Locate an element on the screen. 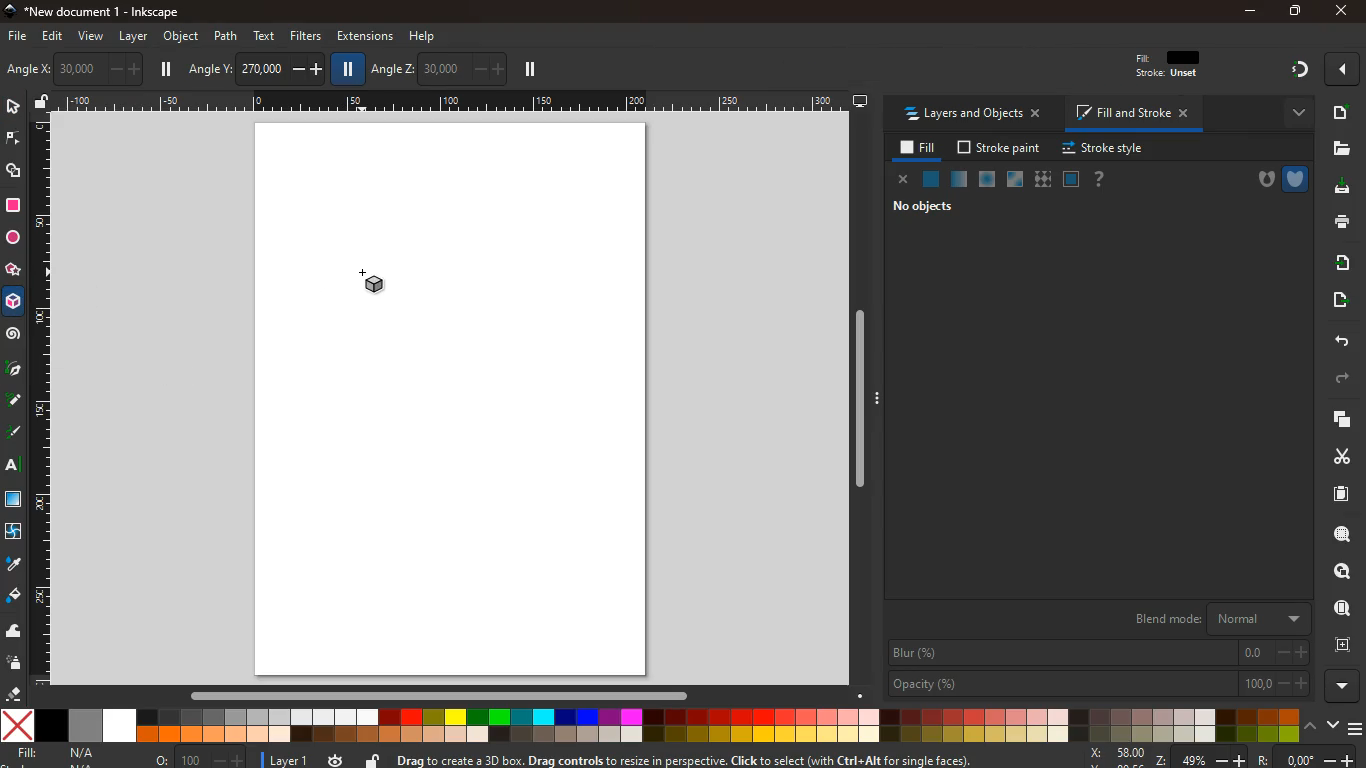 This screenshot has height=768, width=1366. Expand is located at coordinates (879, 397).